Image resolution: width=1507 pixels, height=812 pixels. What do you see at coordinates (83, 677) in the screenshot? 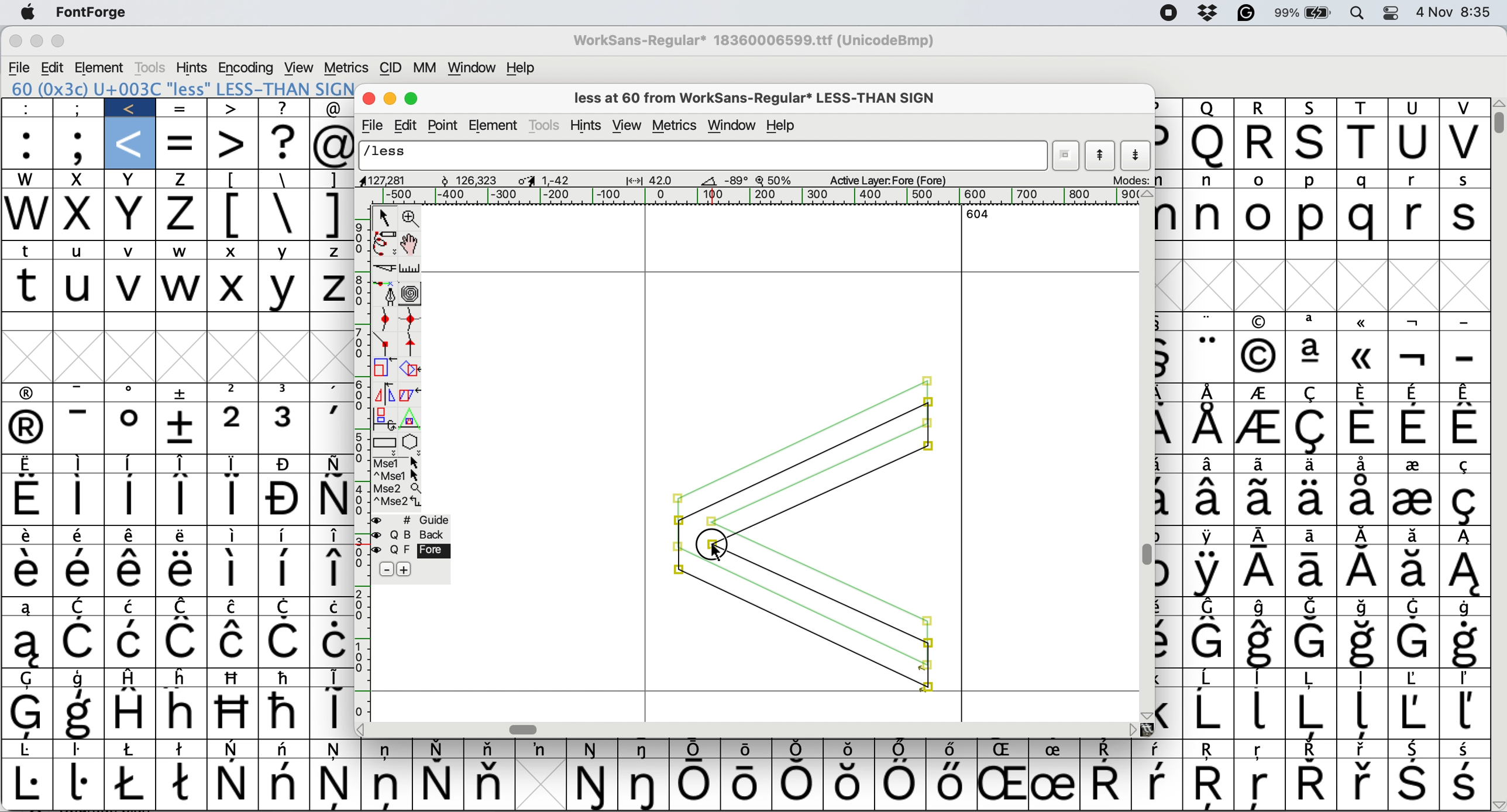
I see `Symbol` at bounding box center [83, 677].